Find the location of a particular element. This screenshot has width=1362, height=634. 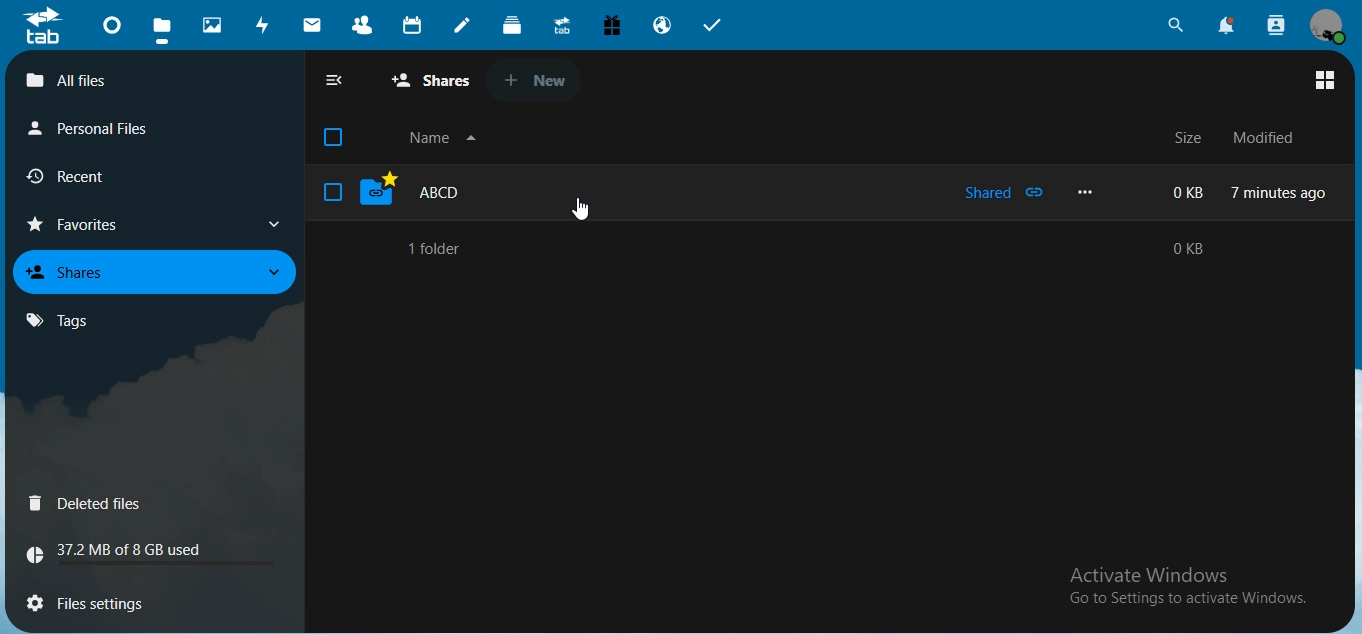

activity is located at coordinates (265, 27).